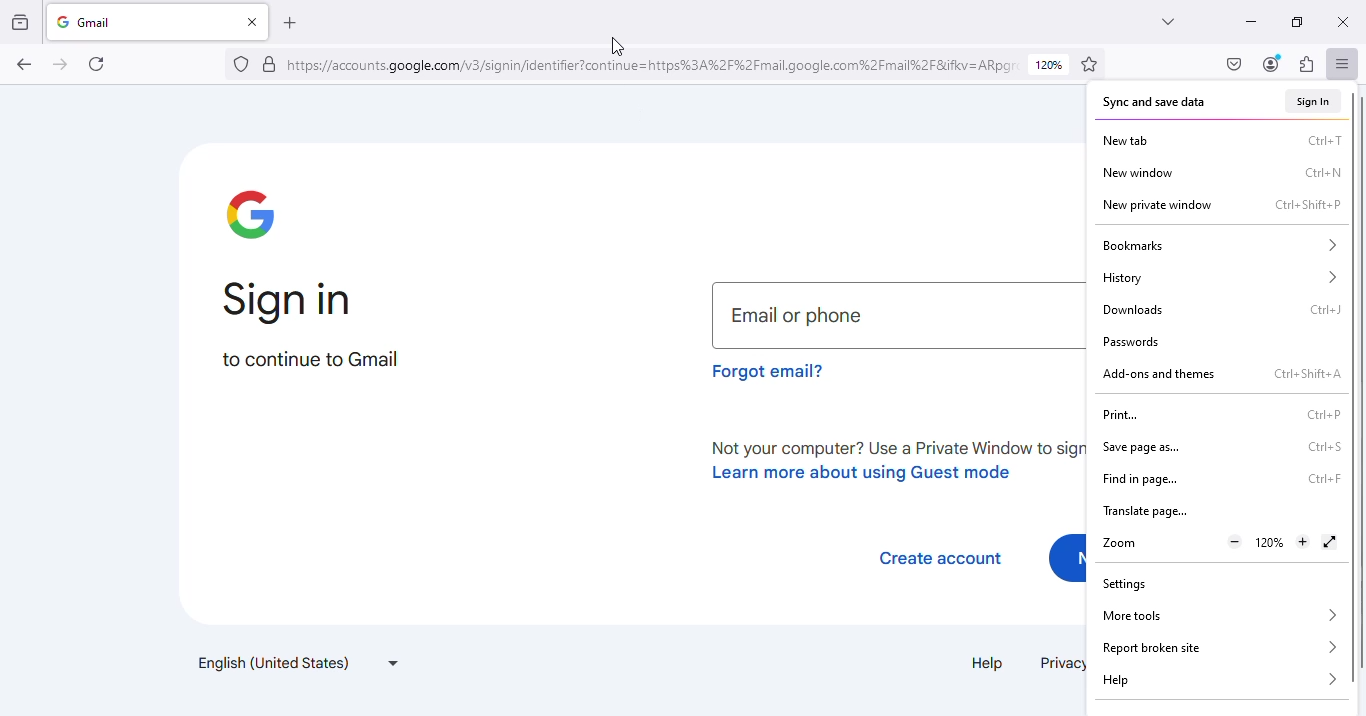 The width and height of the screenshot is (1366, 716). I want to click on report broken site, so click(1219, 647).